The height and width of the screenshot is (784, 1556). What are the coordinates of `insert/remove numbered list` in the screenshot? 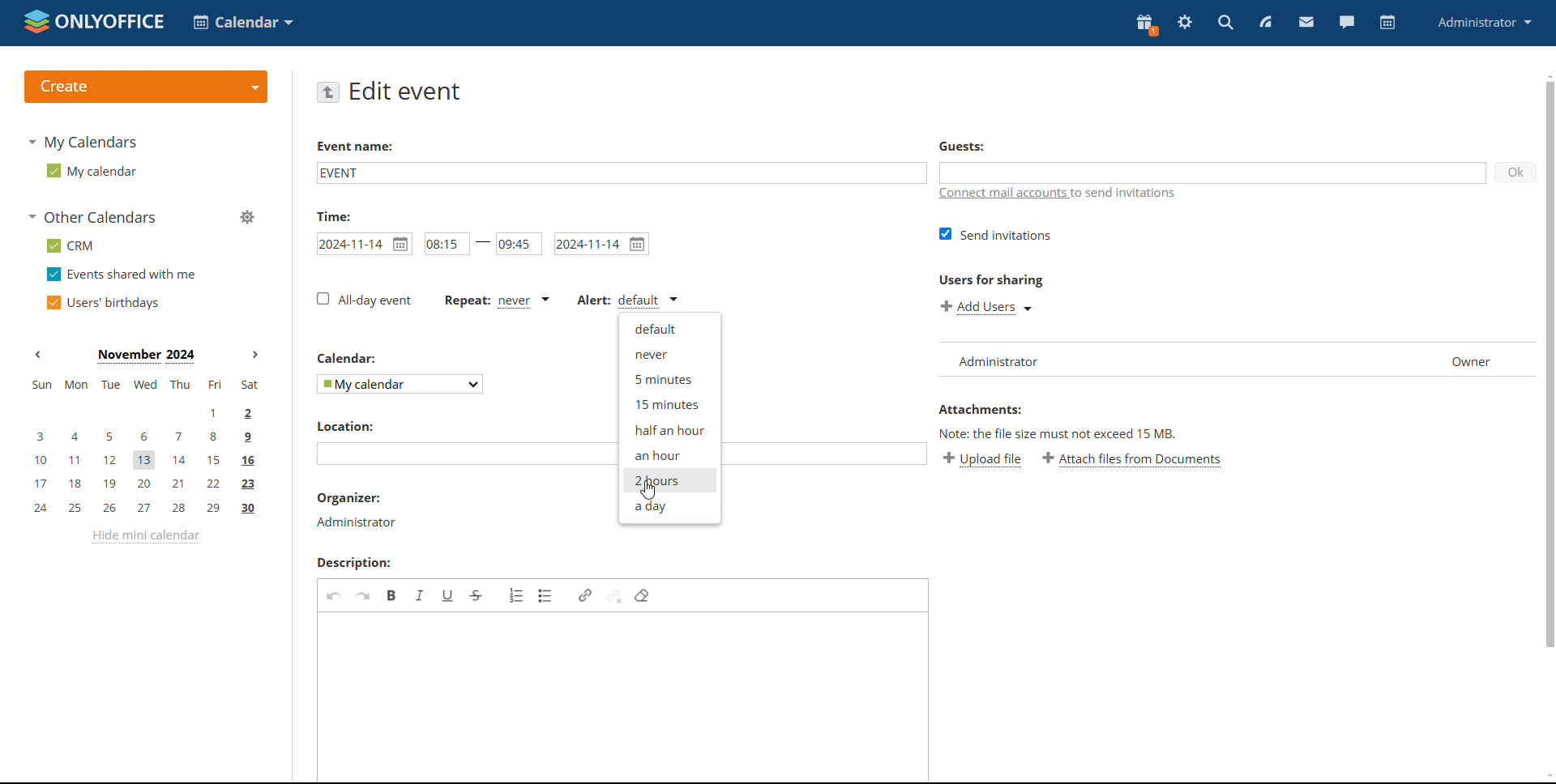 It's located at (517, 594).